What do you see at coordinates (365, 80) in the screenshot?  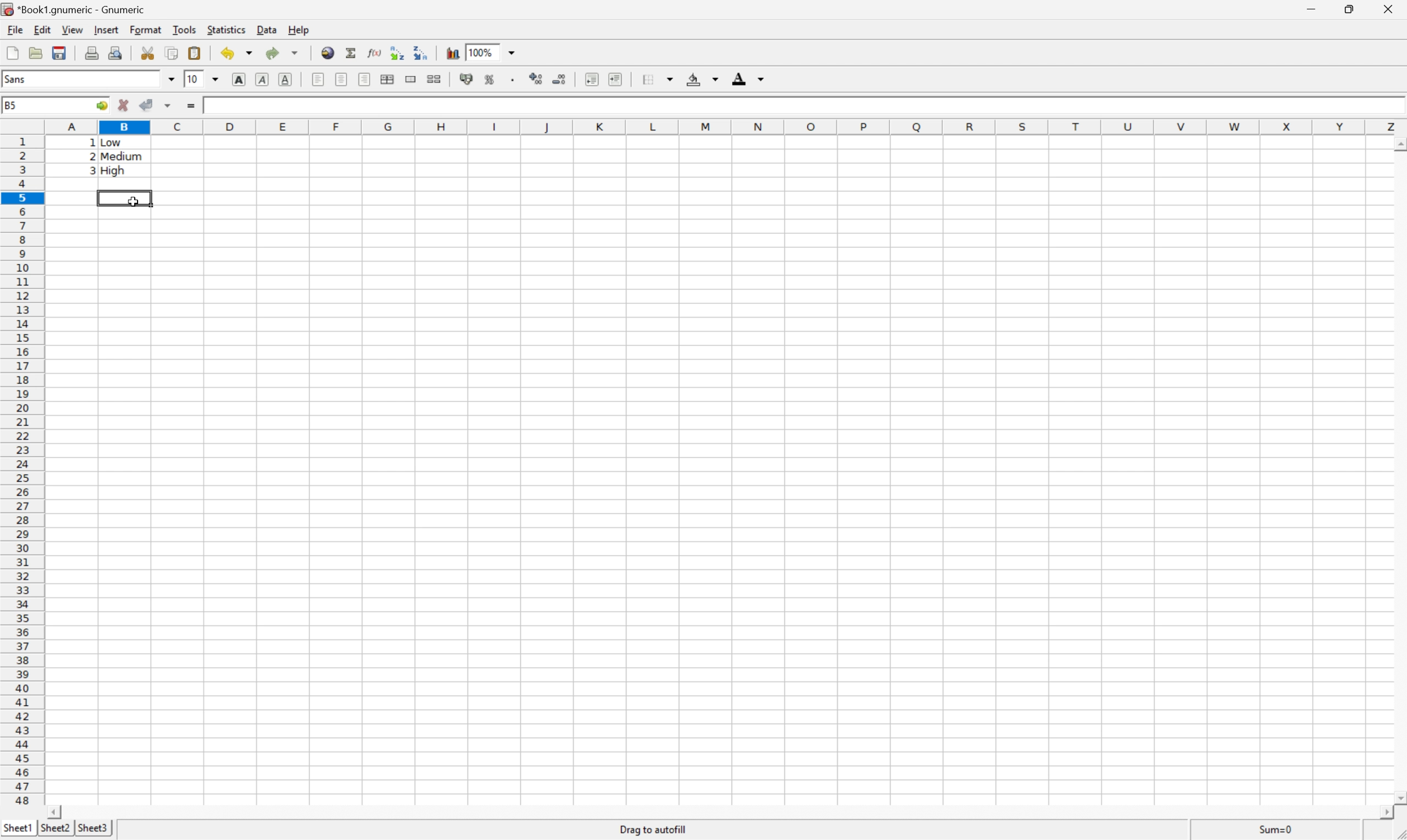 I see `Align Right` at bounding box center [365, 80].